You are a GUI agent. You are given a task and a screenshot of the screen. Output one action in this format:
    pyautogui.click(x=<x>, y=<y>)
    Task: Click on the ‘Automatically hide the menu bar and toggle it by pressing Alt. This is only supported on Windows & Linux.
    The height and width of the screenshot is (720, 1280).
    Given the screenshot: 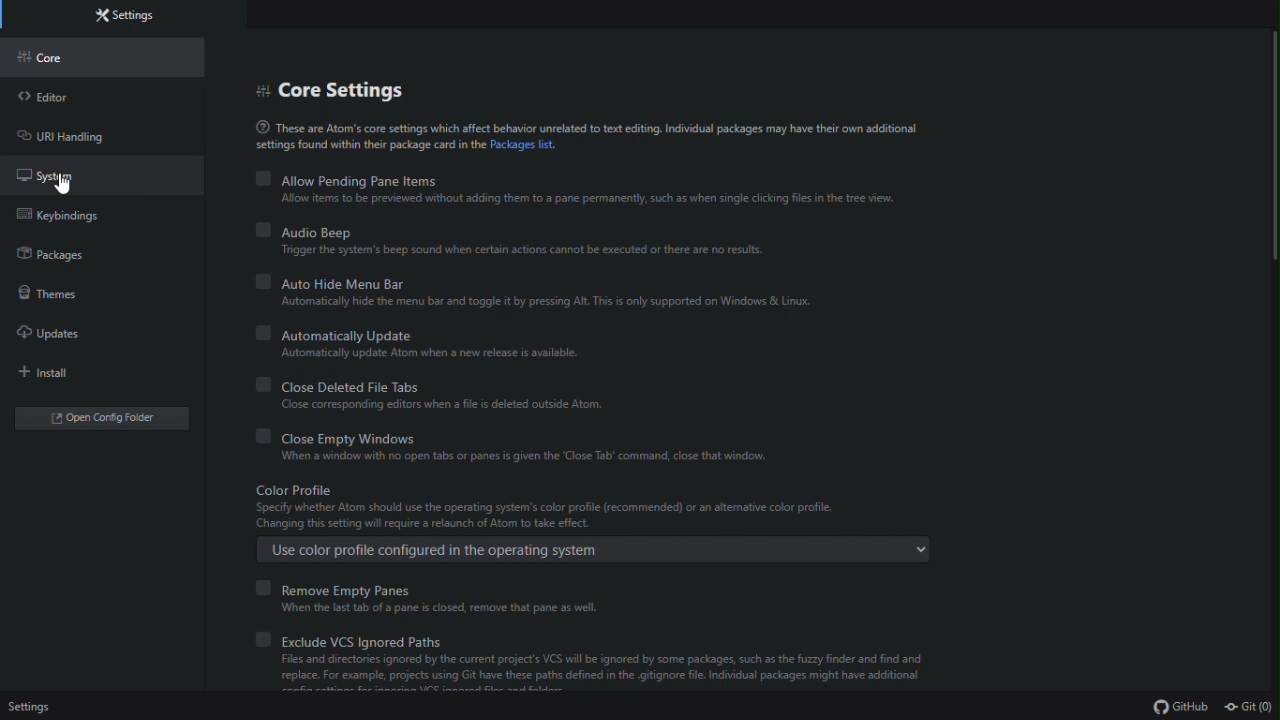 What is the action you would take?
    pyautogui.click(x=544, y=301)
    